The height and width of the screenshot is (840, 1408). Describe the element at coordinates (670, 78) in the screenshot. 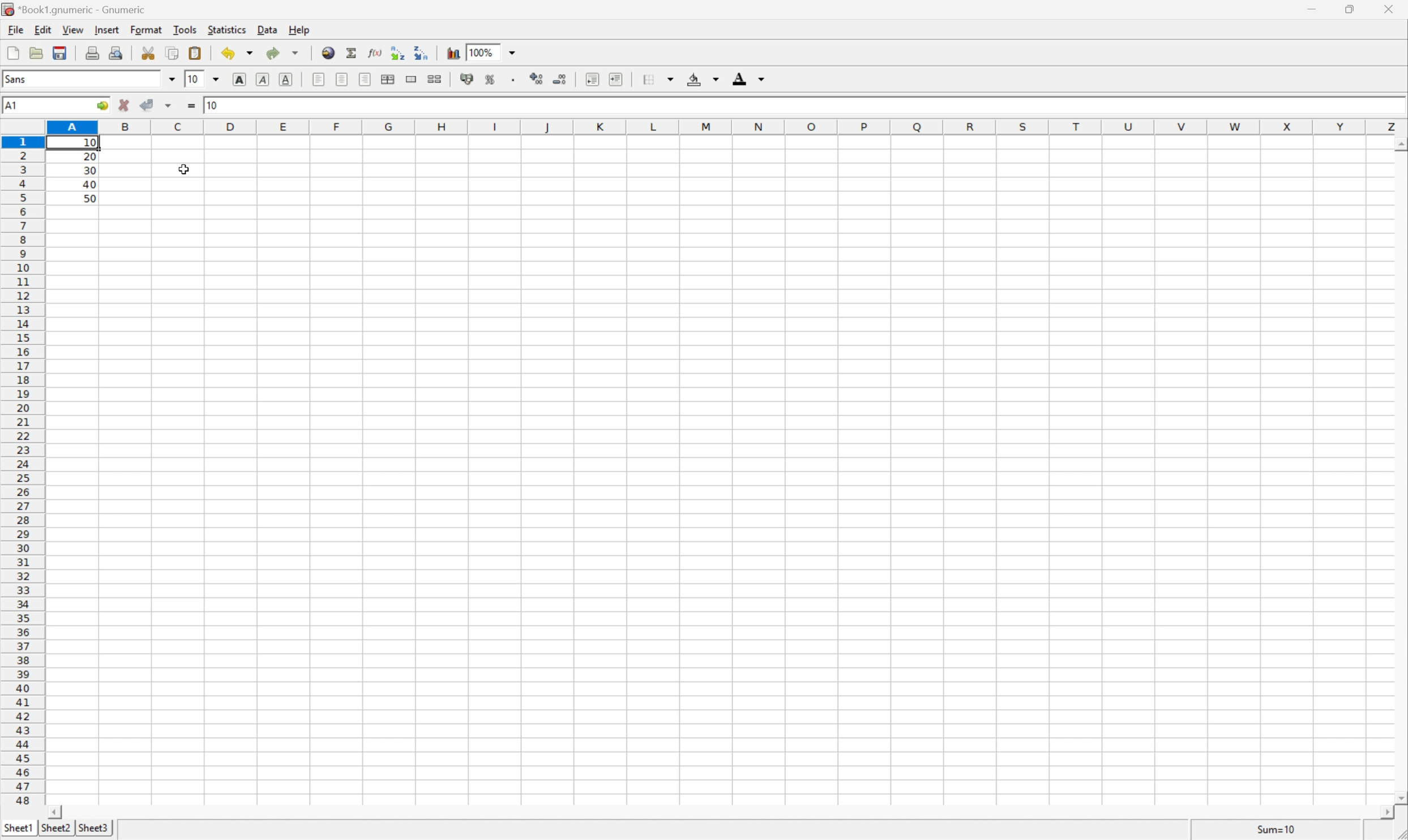

I see `Drop down` at that location.